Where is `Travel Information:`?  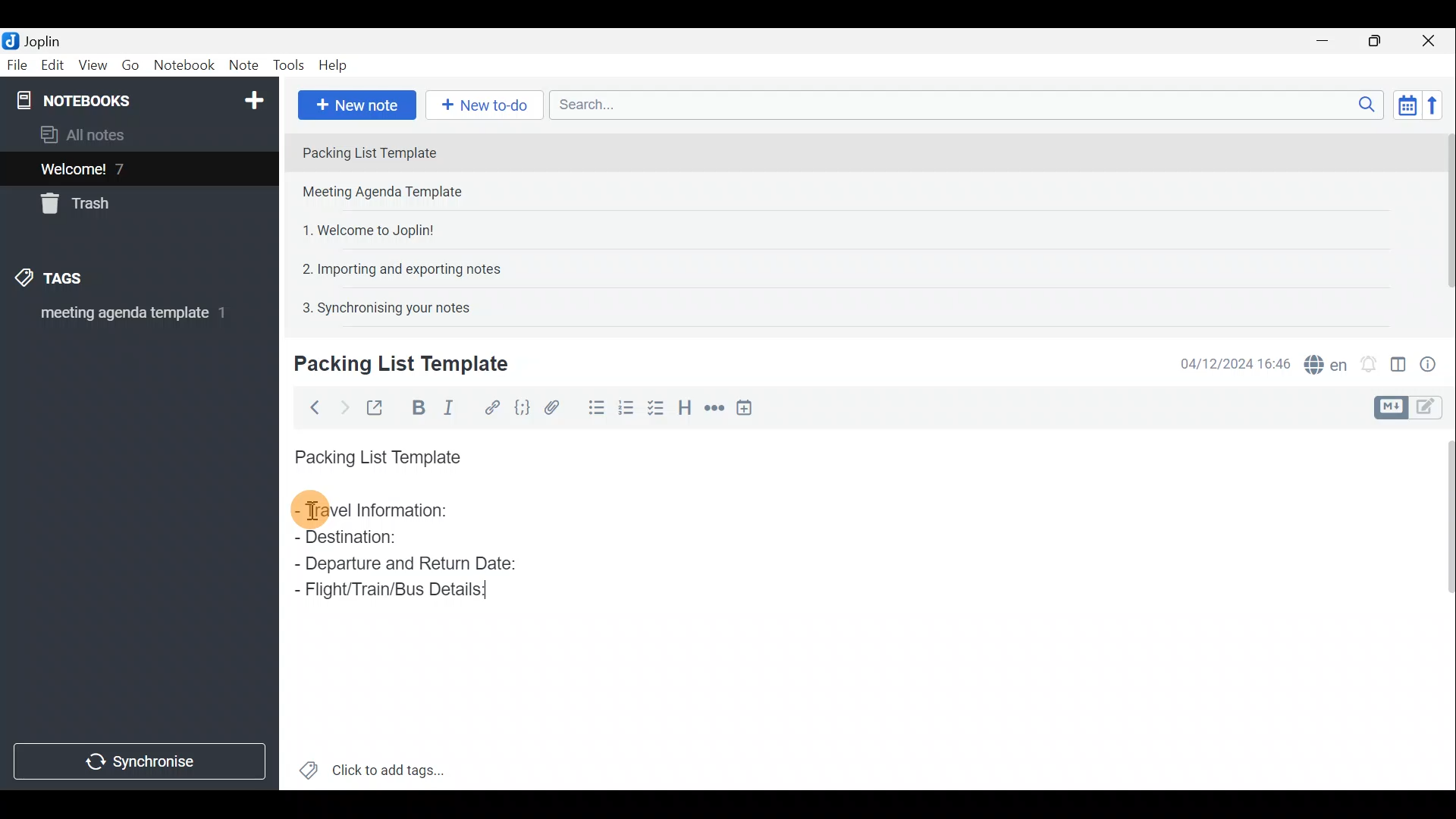 Travel Information: is located at coordinates (384, 512).